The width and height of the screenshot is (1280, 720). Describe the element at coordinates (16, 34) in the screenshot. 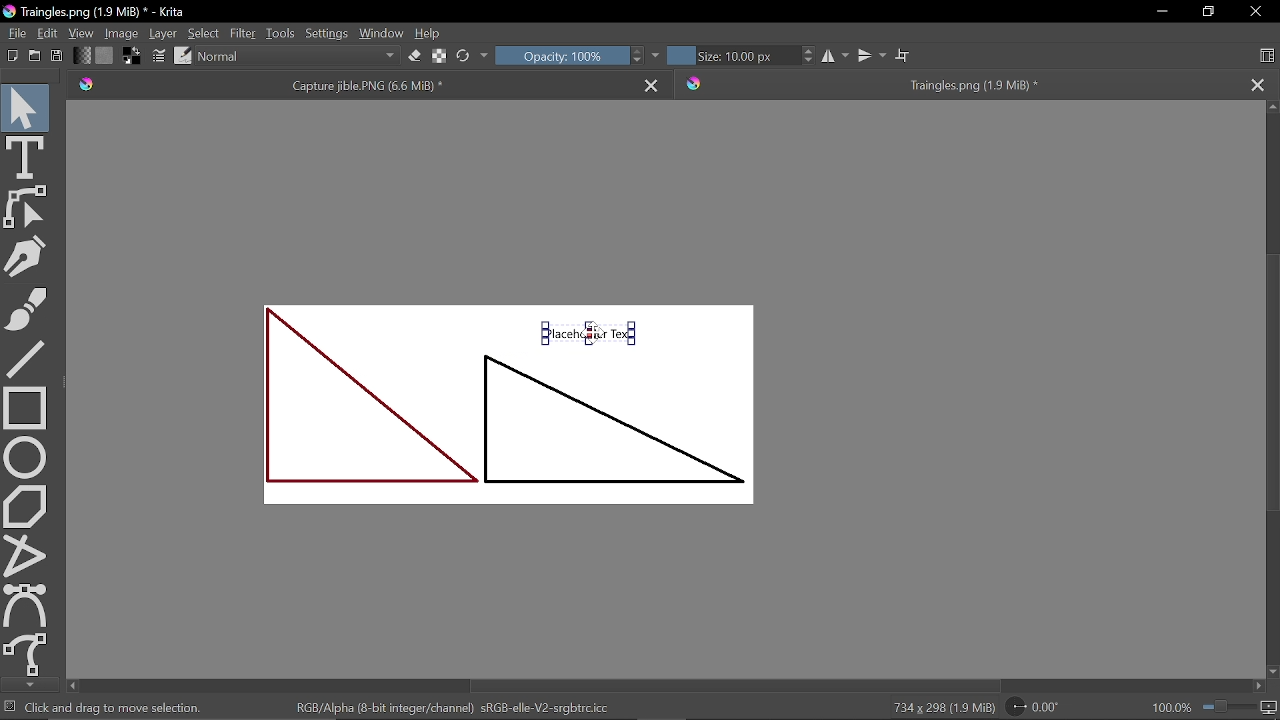

I see `File` at that location.